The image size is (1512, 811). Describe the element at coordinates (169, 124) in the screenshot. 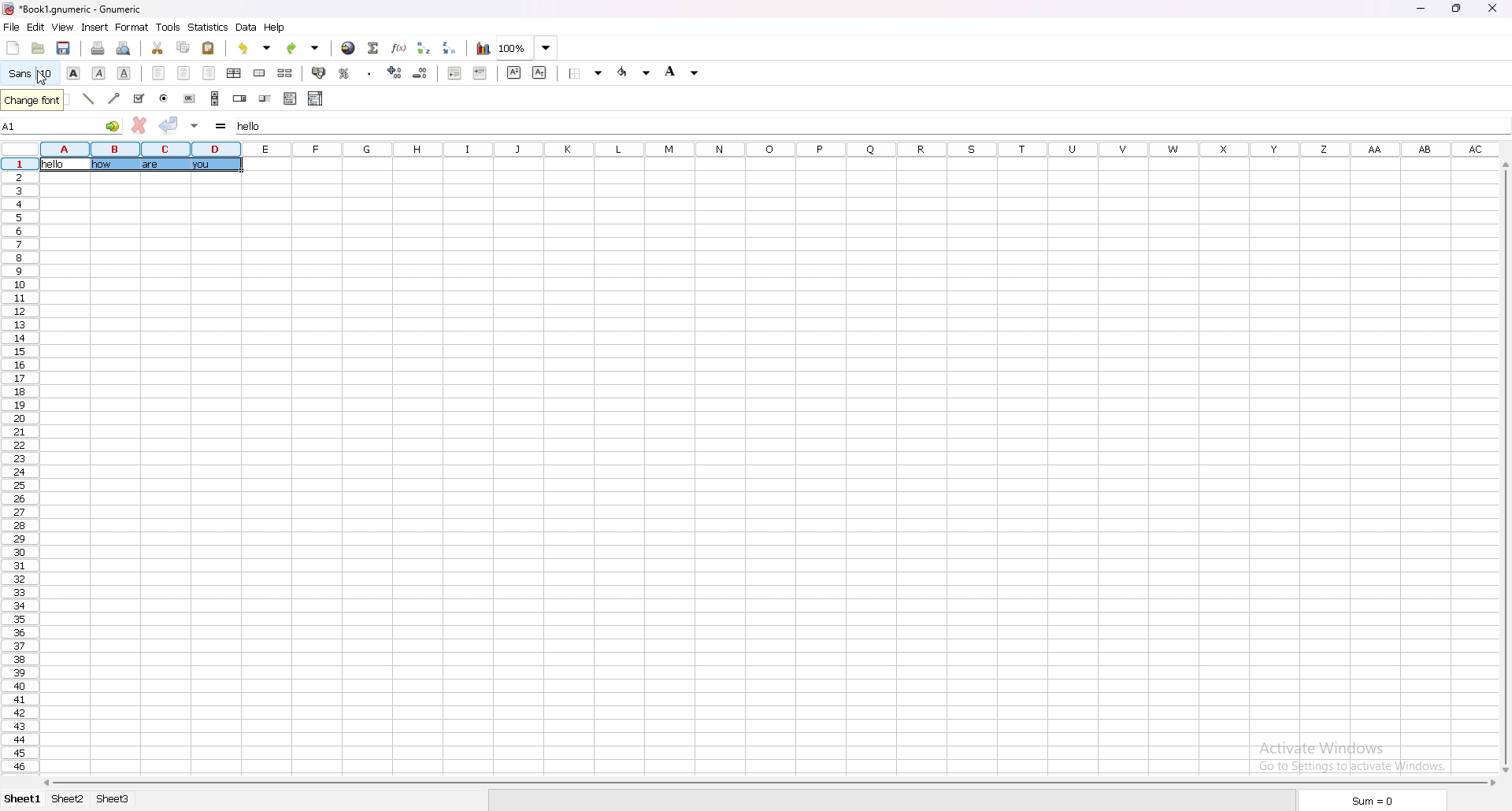

I see `accept changes` at that location.